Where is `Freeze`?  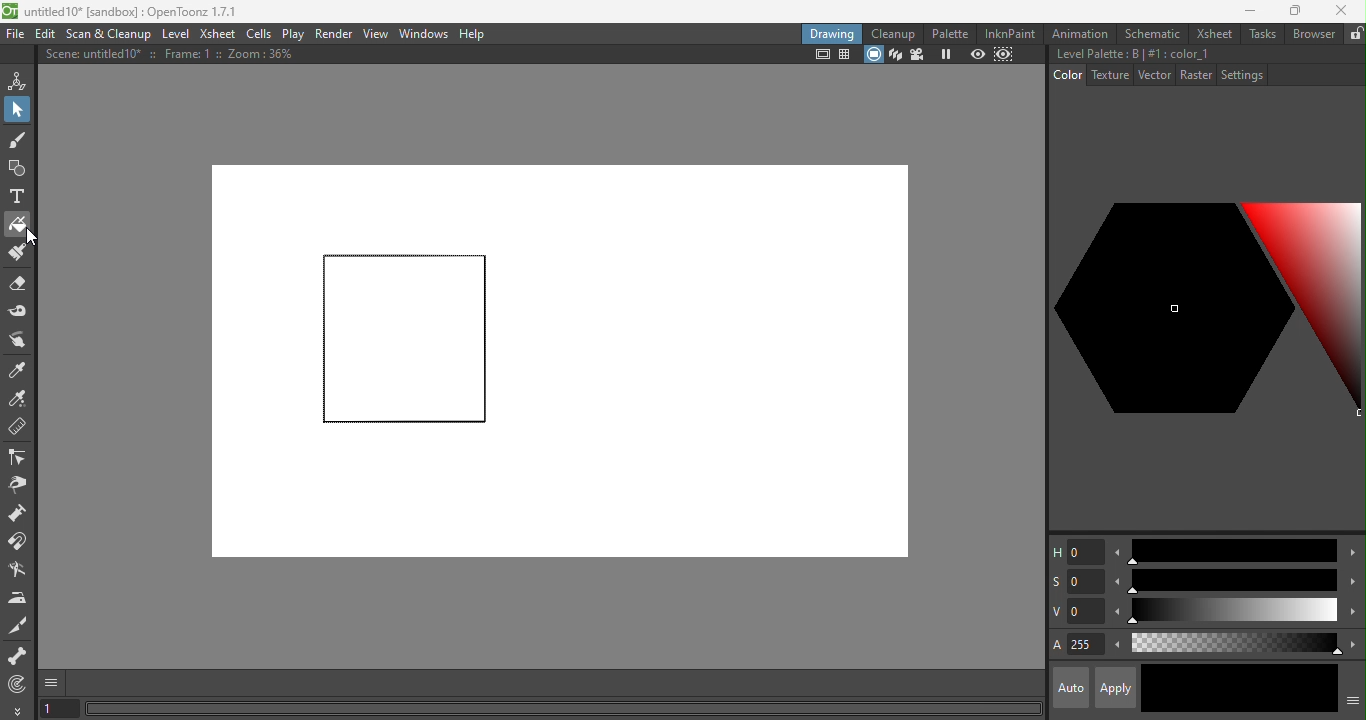
Freeze is located at coordinates (947, 56).